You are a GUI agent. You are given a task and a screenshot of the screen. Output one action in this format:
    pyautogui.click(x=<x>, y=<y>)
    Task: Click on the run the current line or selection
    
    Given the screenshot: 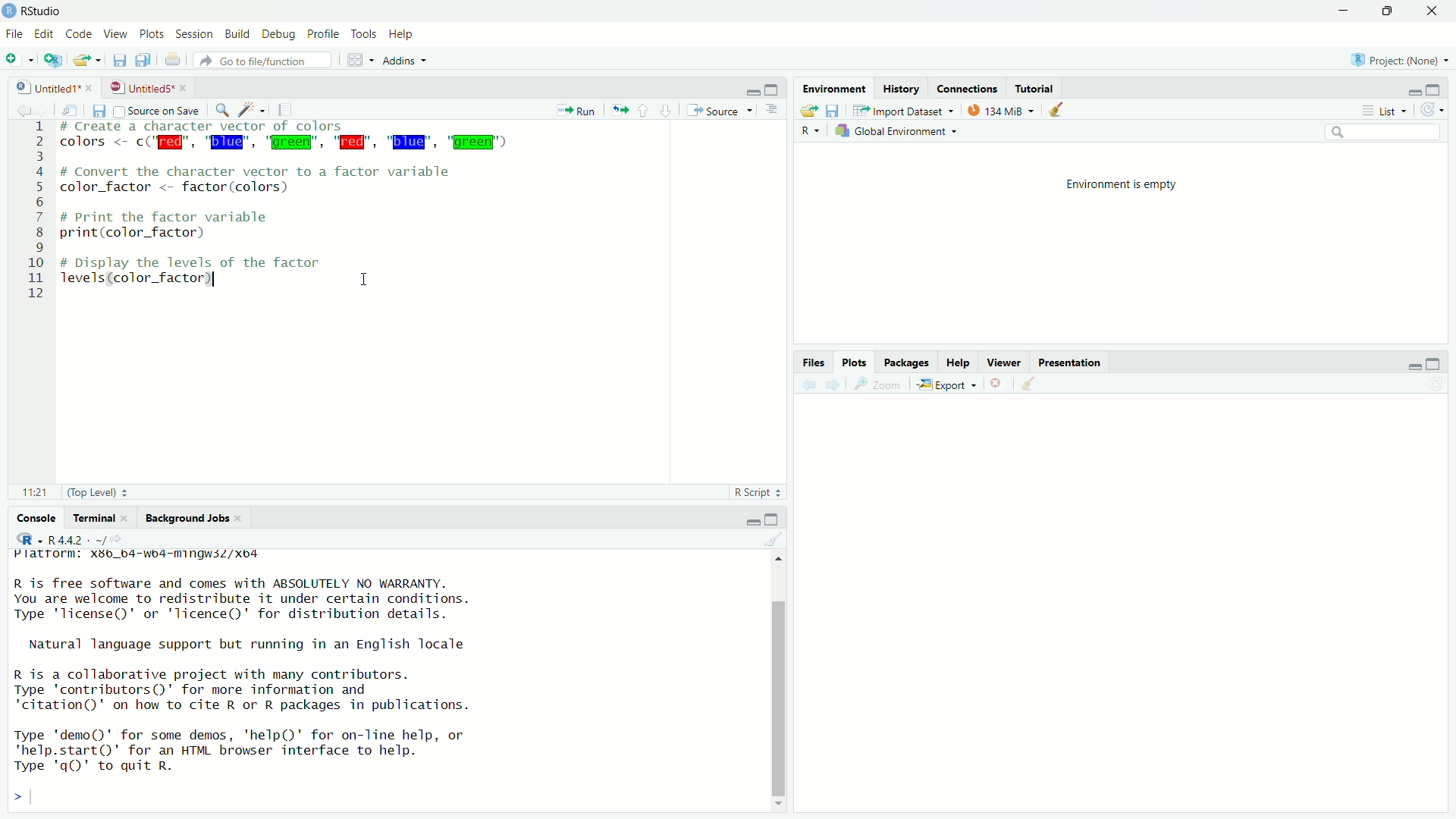 What is the action you would take?
    pyautogui.click(x=576, y=110)
    